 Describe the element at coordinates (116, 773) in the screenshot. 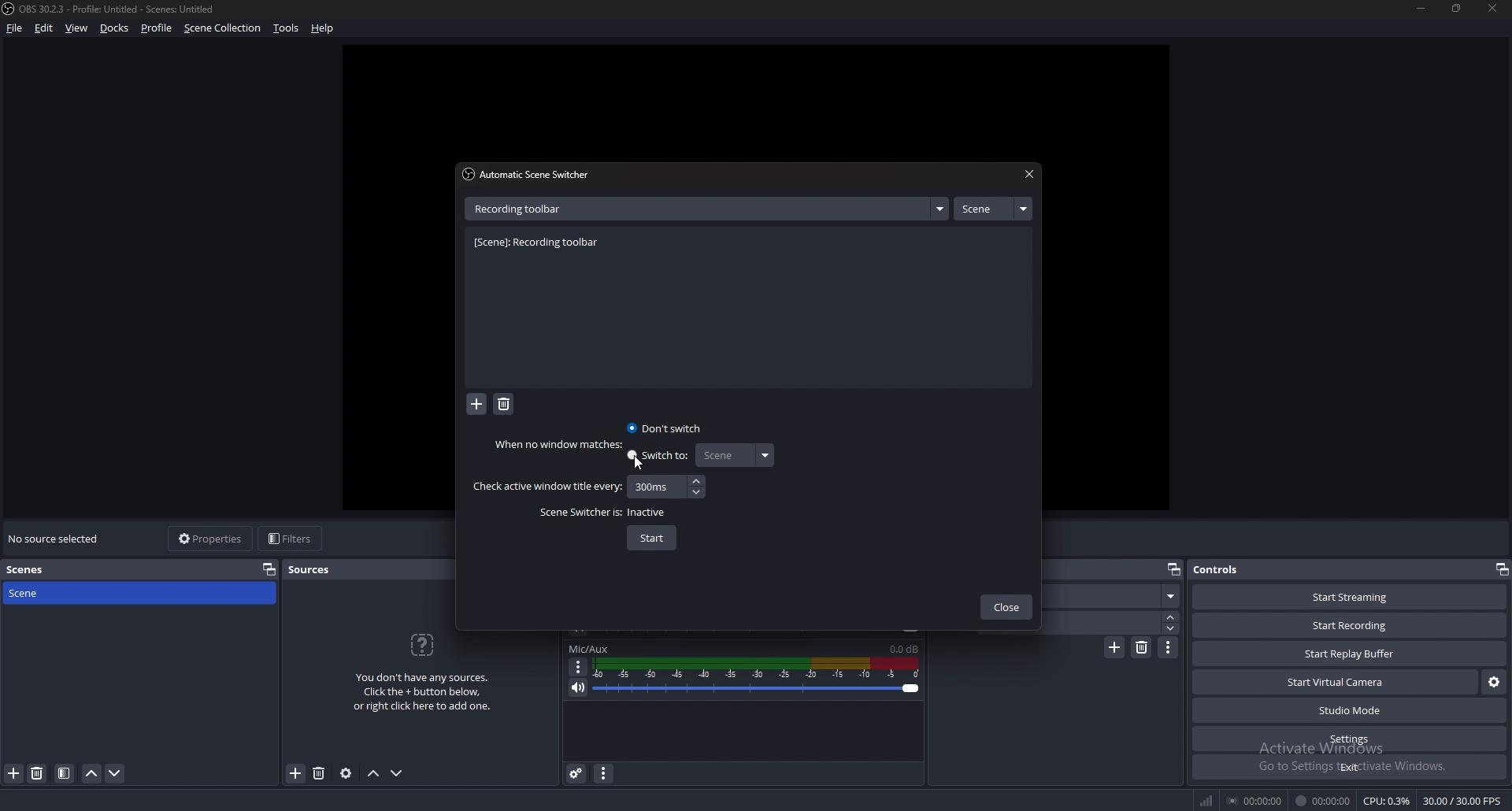

I see `move scene down` at that location.